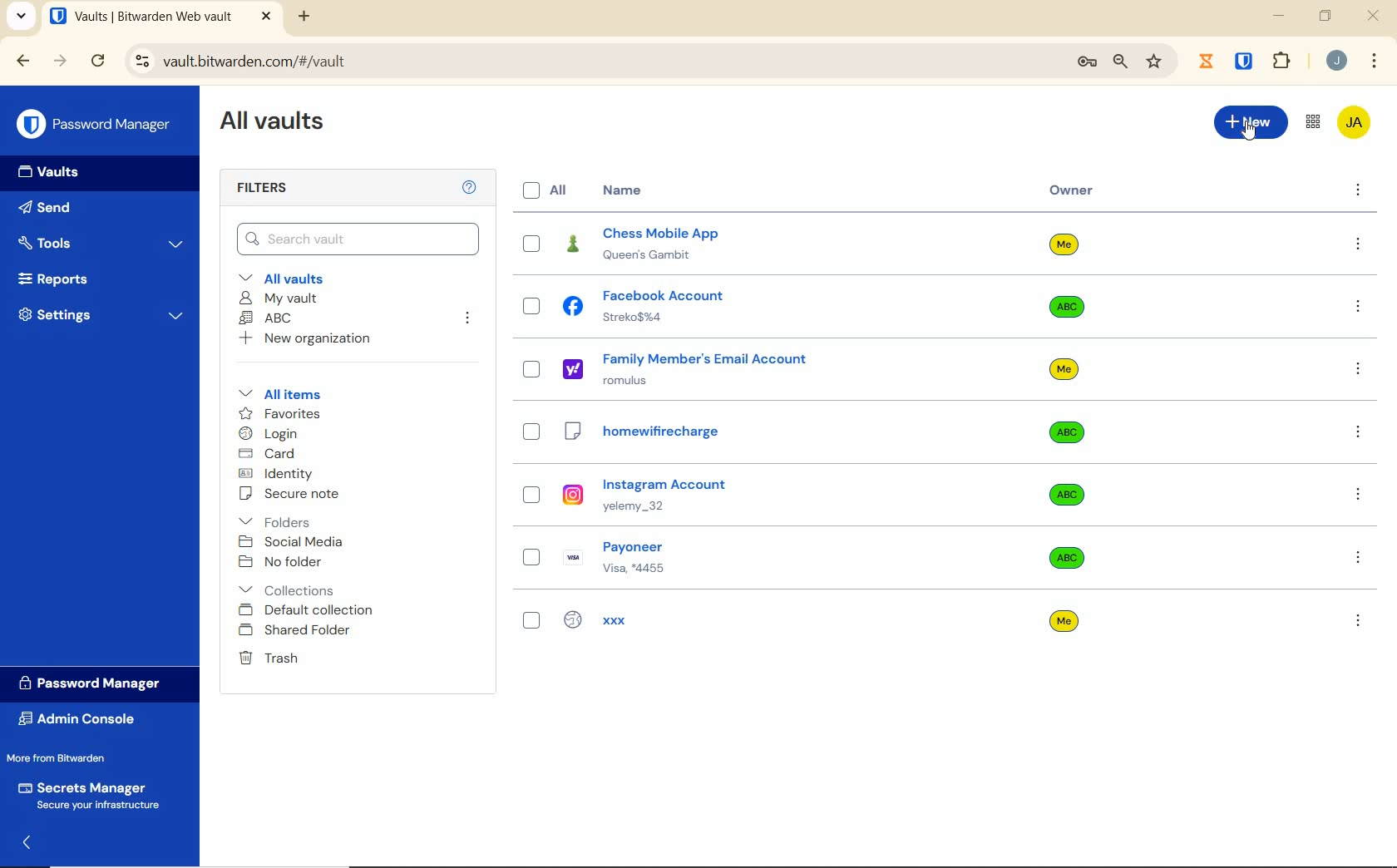 The height and width of the screenshot is (868, 1397). I want to click on extensions, so click(1284, 60).